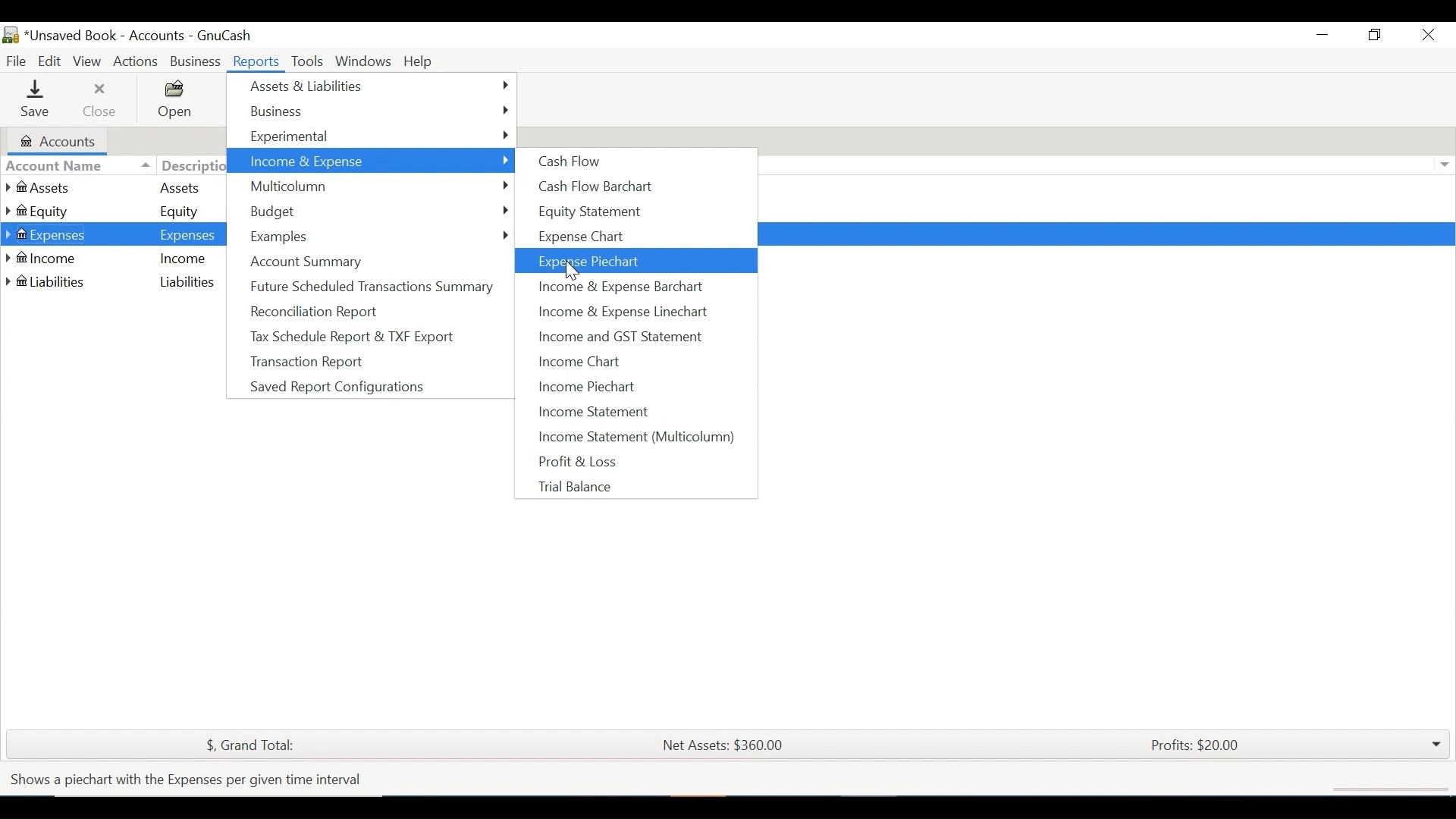 The image size is (1456, 819). What do you see at coordinates (626, 312) in the screenshot?
I see `Income & Expense Linechart` at bounding box center [626, 312].